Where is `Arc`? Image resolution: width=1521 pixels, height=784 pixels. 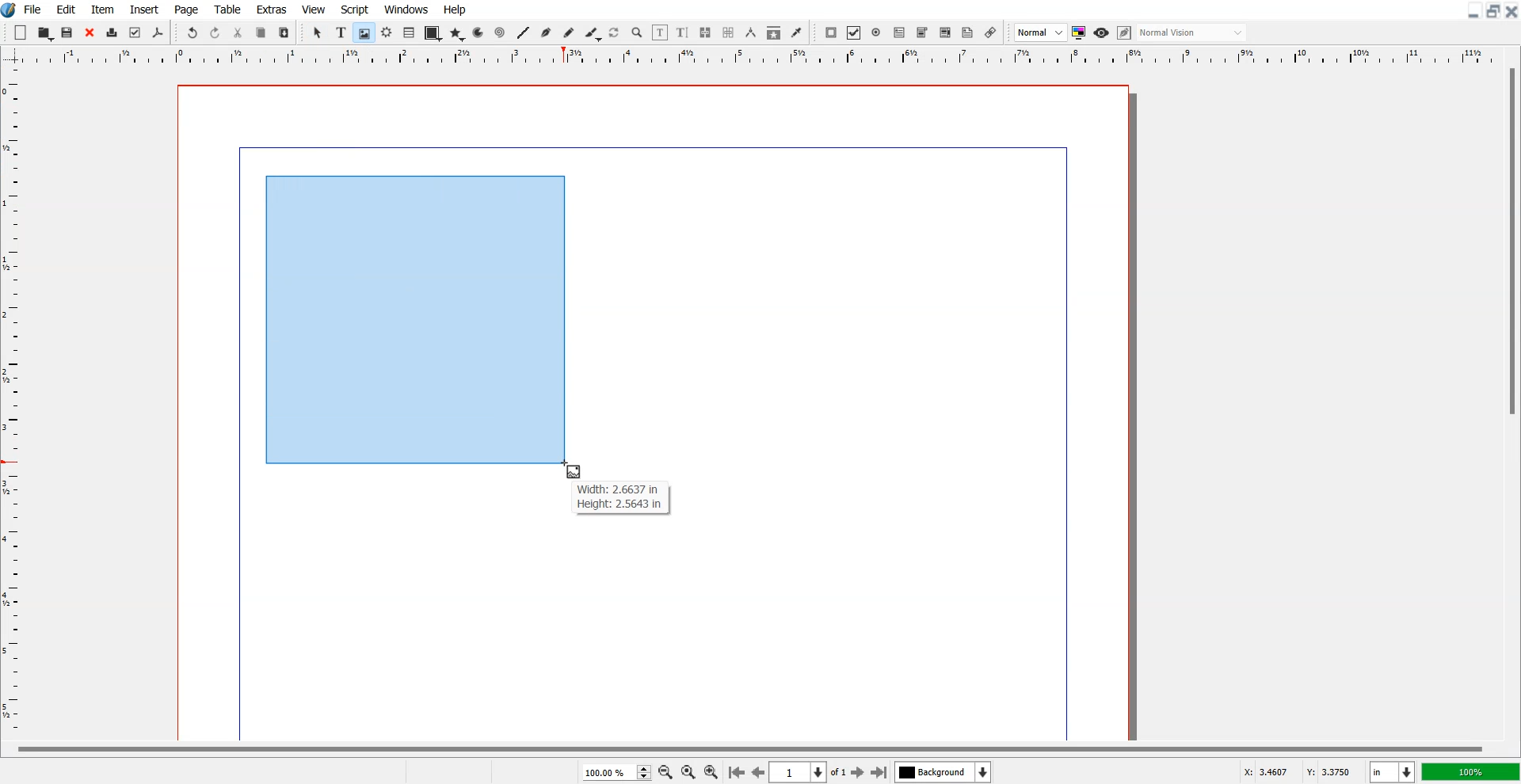
Arc is located at coordinates (479, 32).